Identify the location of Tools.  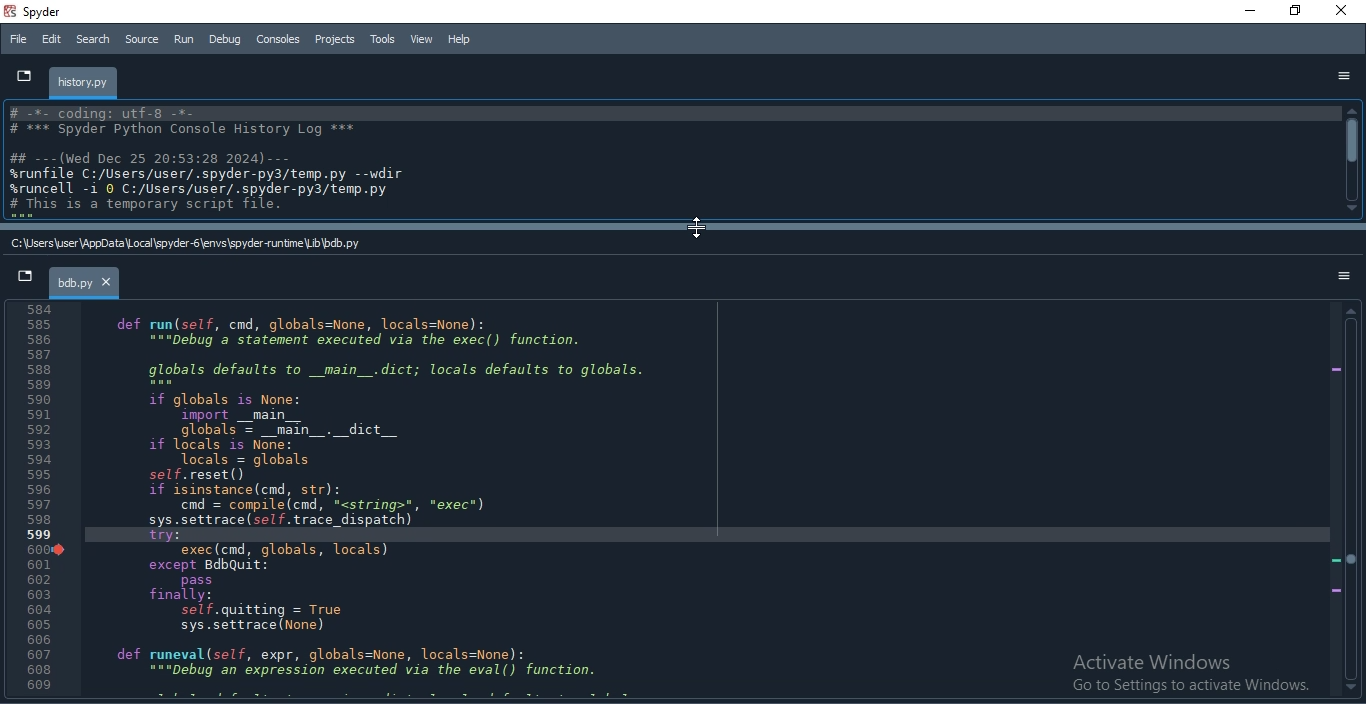
(383, 38).